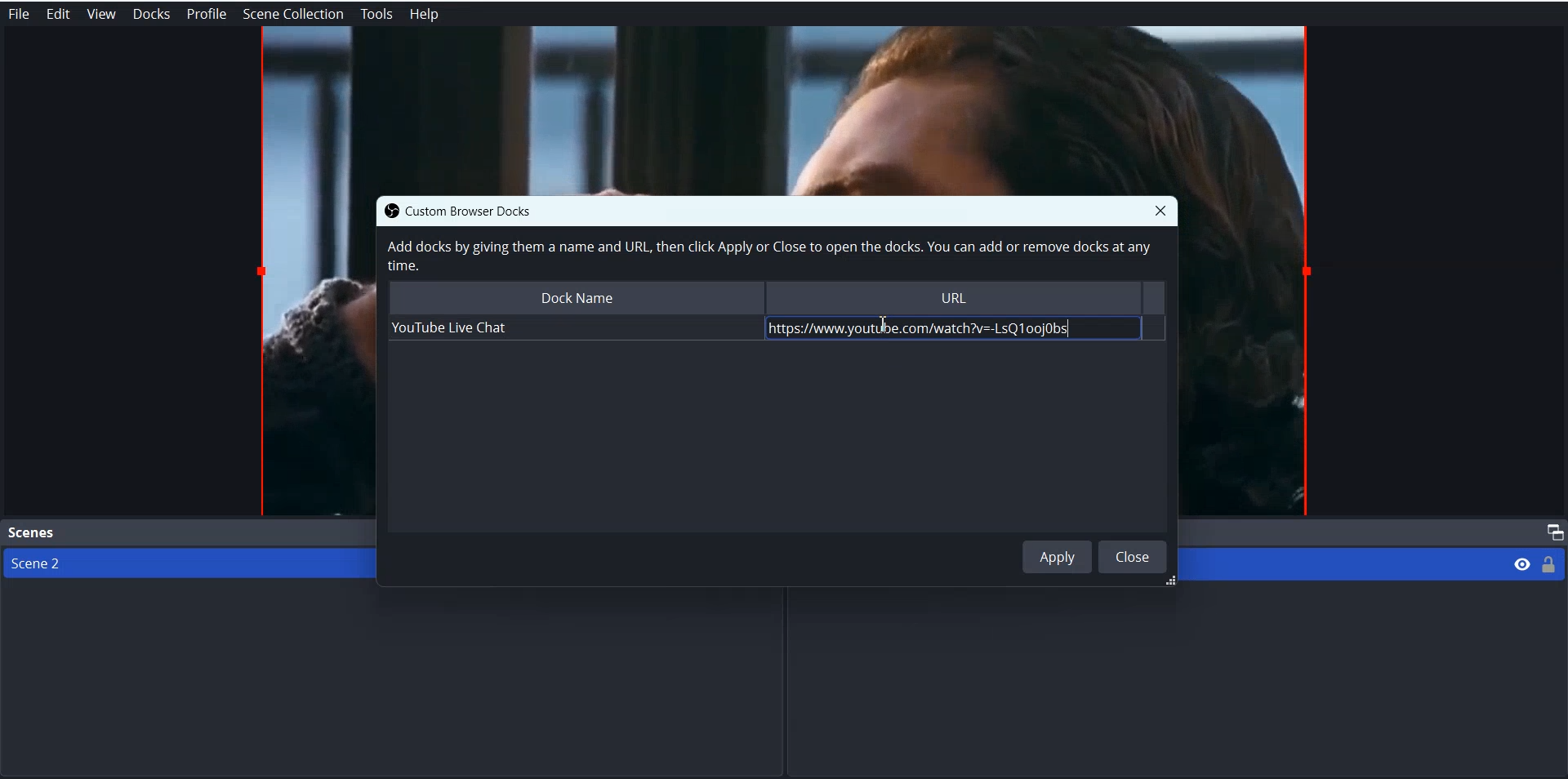 The image size is (1568, 779). What do you see at coordinates (1249, 358) in the screenshot?
I see `File Preview window` at bounding box center [1249, 358].